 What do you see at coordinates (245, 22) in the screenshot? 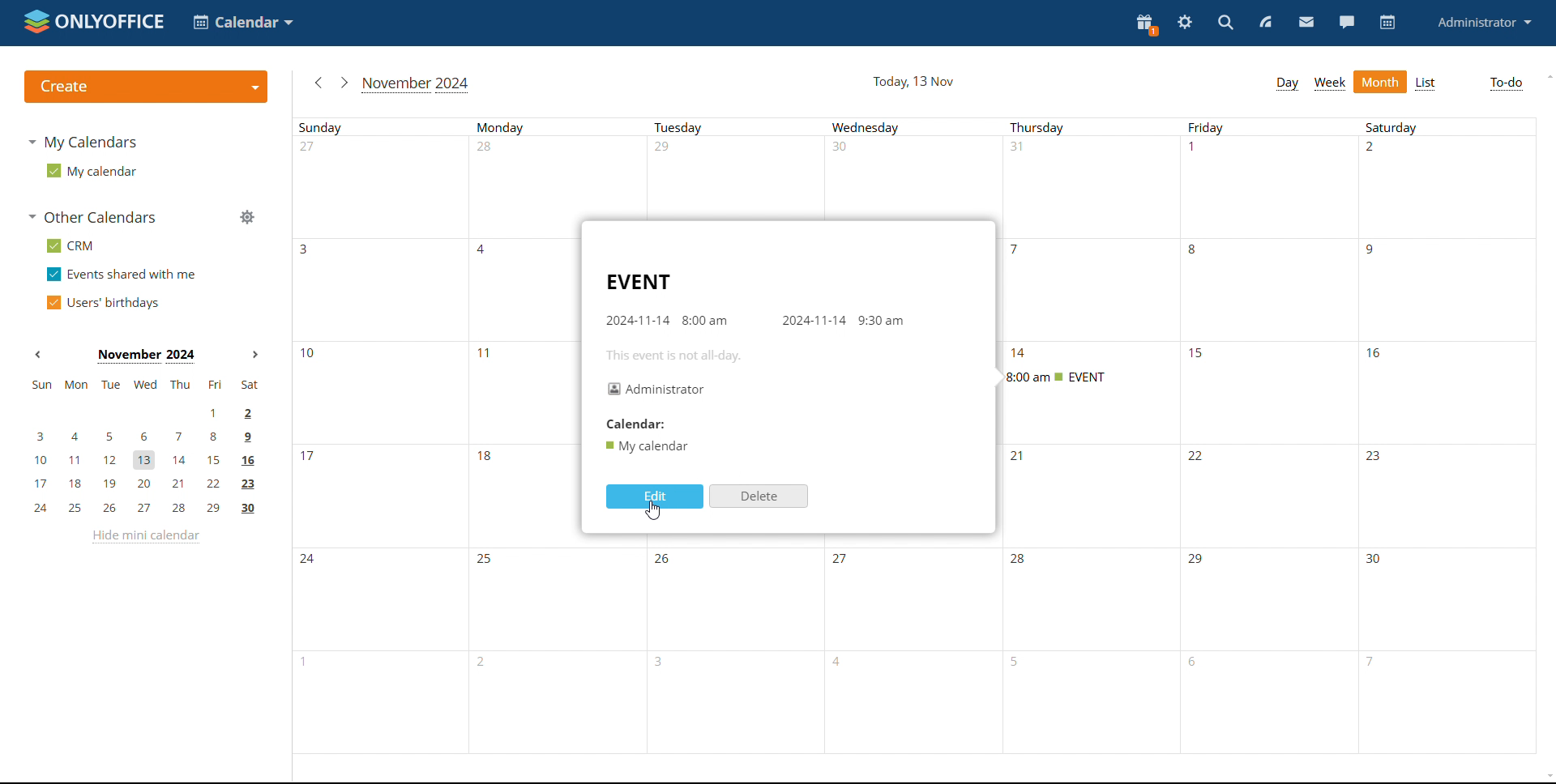
I see `select application` at bounding box center [245, 22].